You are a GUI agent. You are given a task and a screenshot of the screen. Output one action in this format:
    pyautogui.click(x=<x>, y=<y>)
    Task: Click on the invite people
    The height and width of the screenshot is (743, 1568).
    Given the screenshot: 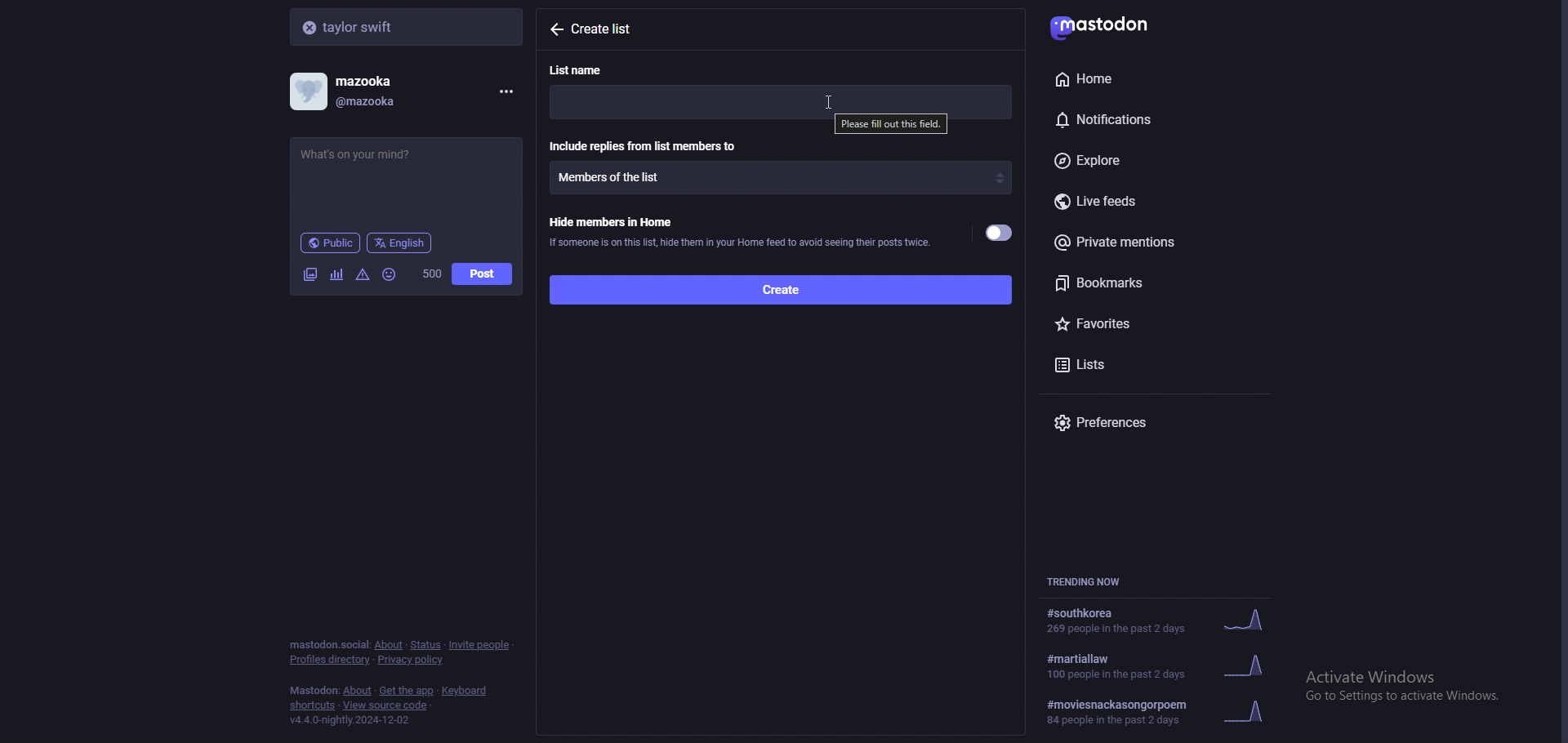 What is the action you would take?
    pyautogui.click(x=480, y=644)
    